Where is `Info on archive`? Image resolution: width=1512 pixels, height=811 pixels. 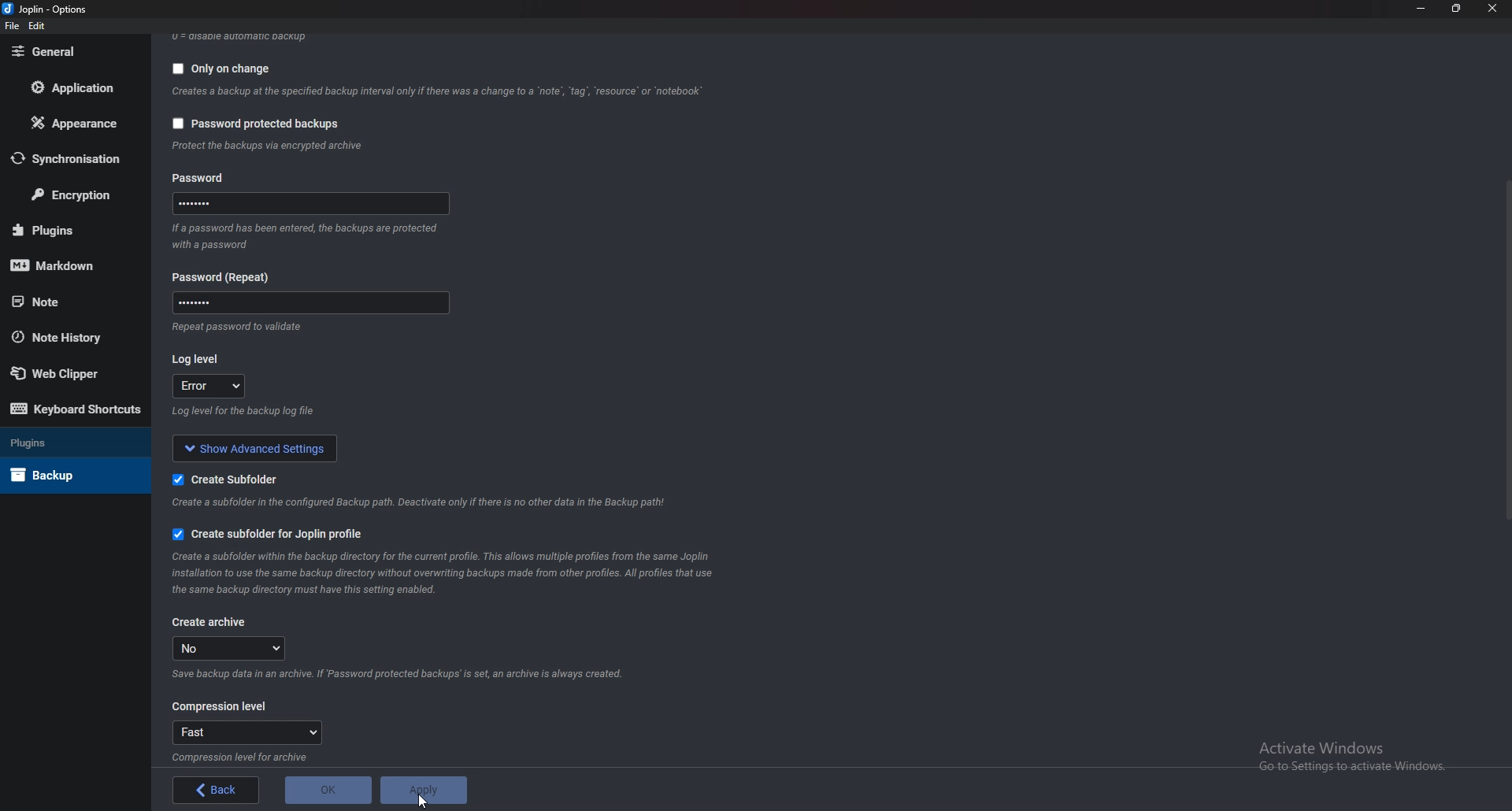
Info on archive is located at coordinates (402, 674).